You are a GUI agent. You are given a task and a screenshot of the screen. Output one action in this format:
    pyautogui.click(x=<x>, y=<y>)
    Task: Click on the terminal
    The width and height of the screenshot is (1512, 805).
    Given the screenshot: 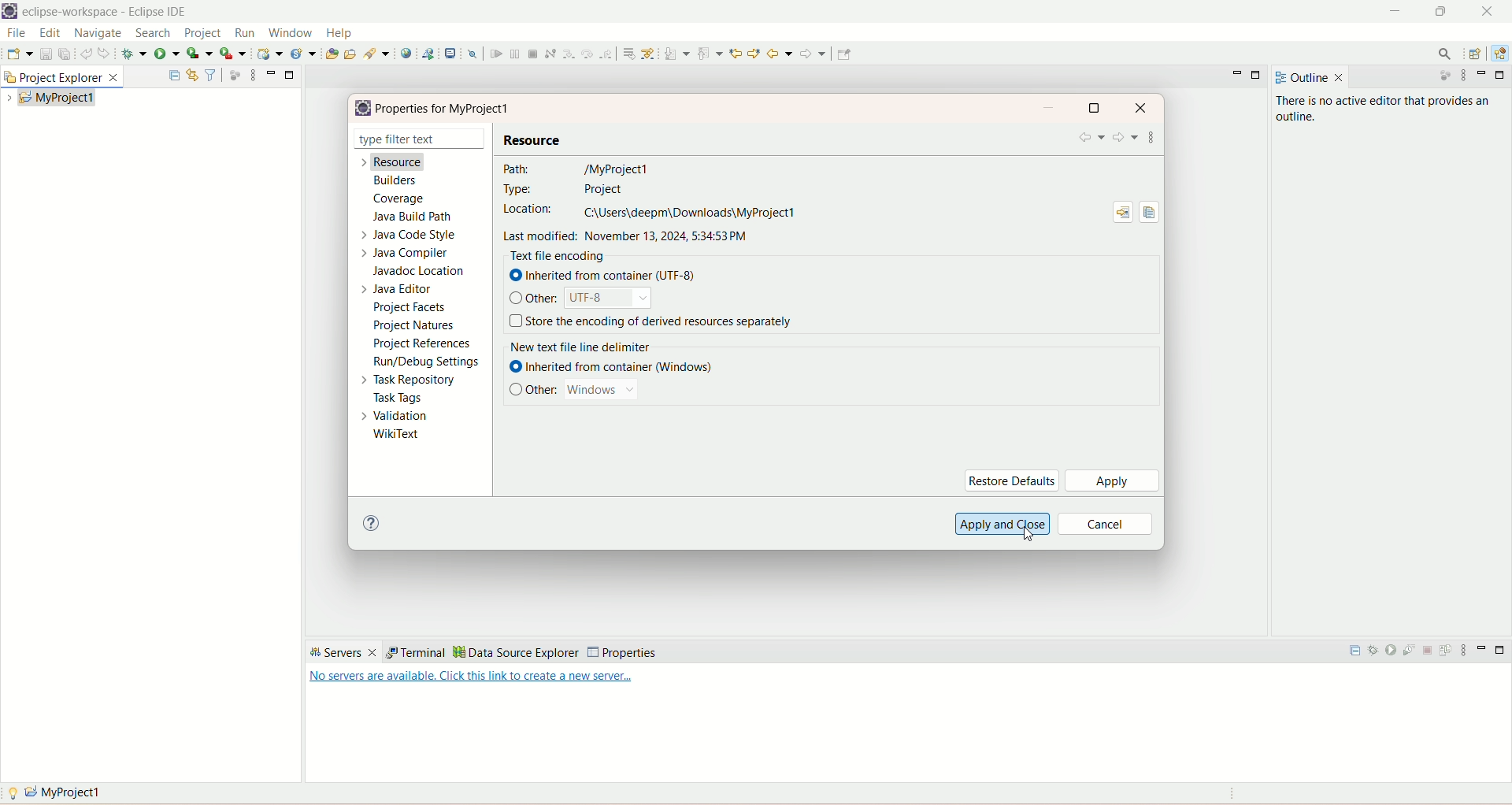 What is the action you would take?
    pyautogui.click(x=413, y=652)
    